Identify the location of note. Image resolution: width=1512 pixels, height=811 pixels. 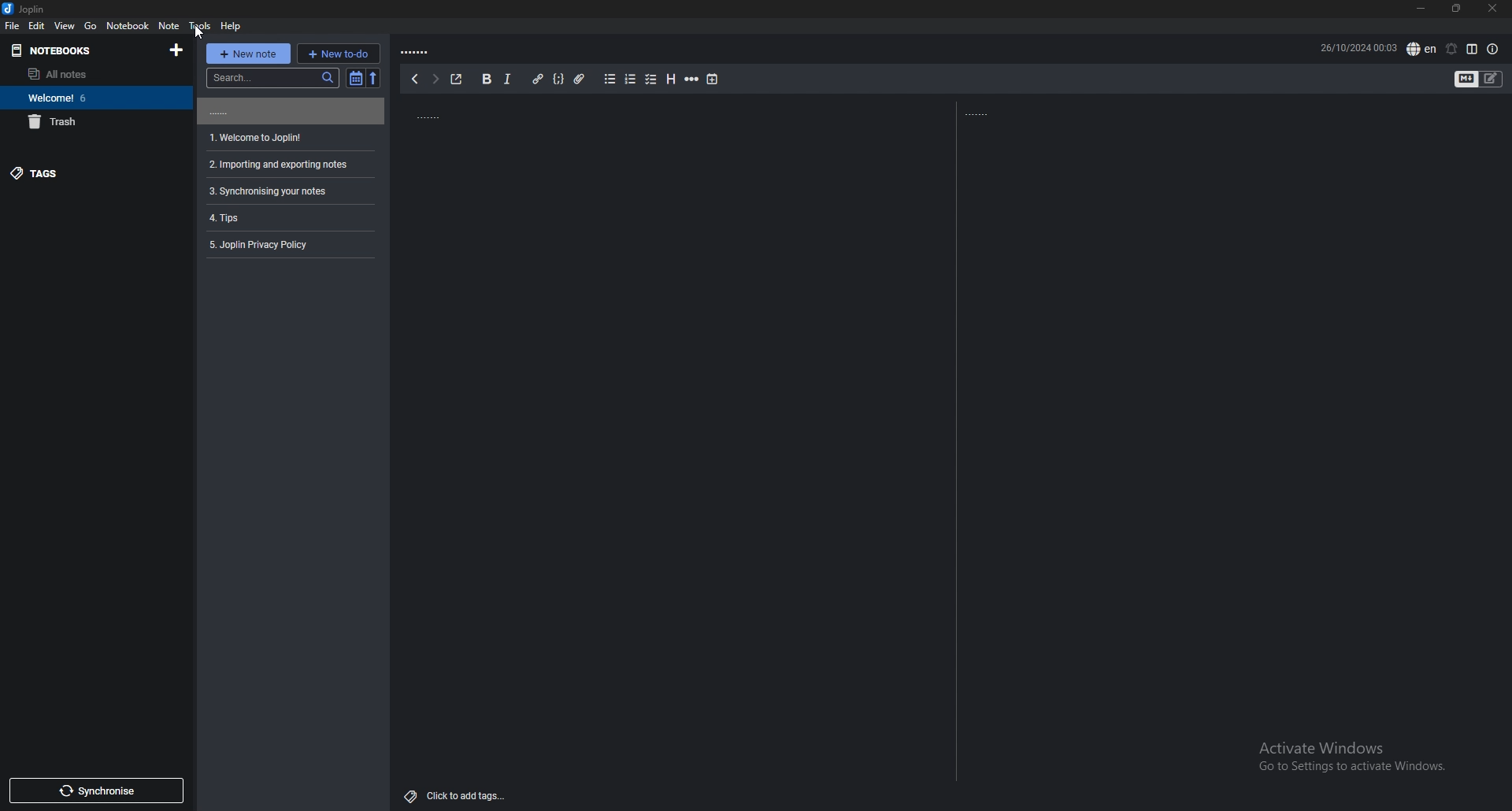
(169, 25).